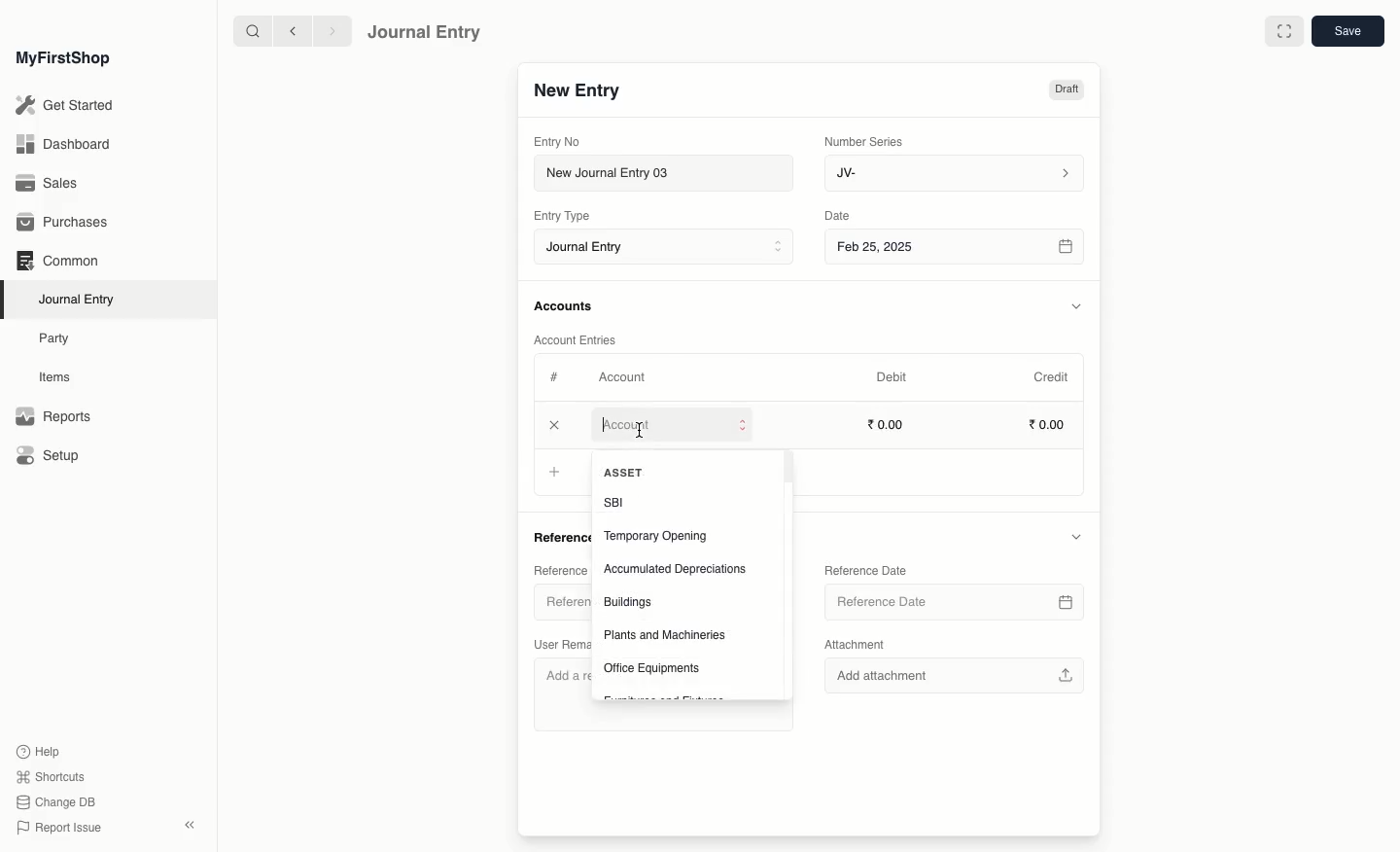 The height and width of the screenshot is (852, 1400). Describe the element at coordinates (556, 426) in the screenshot. I see `Close` at that location.